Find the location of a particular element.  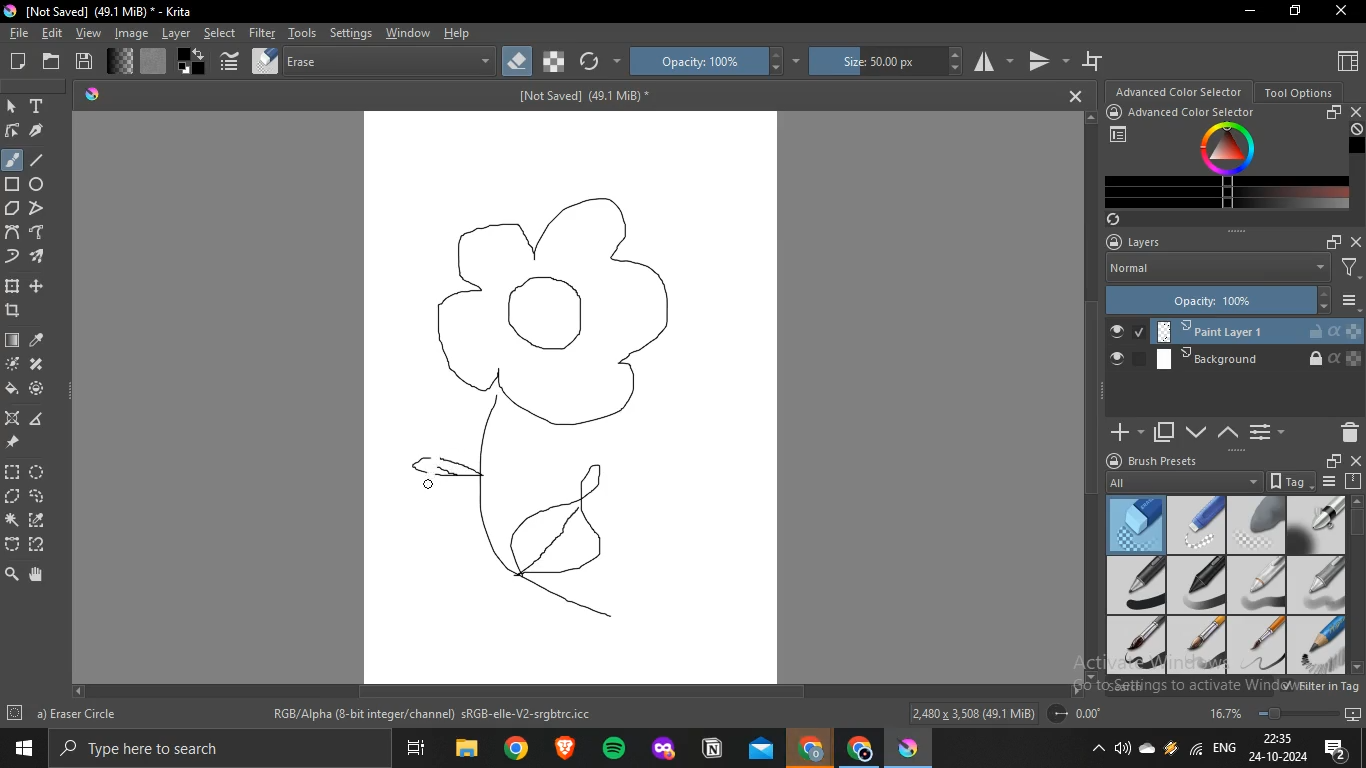

fill gradients is located at coordinates (122, 62).